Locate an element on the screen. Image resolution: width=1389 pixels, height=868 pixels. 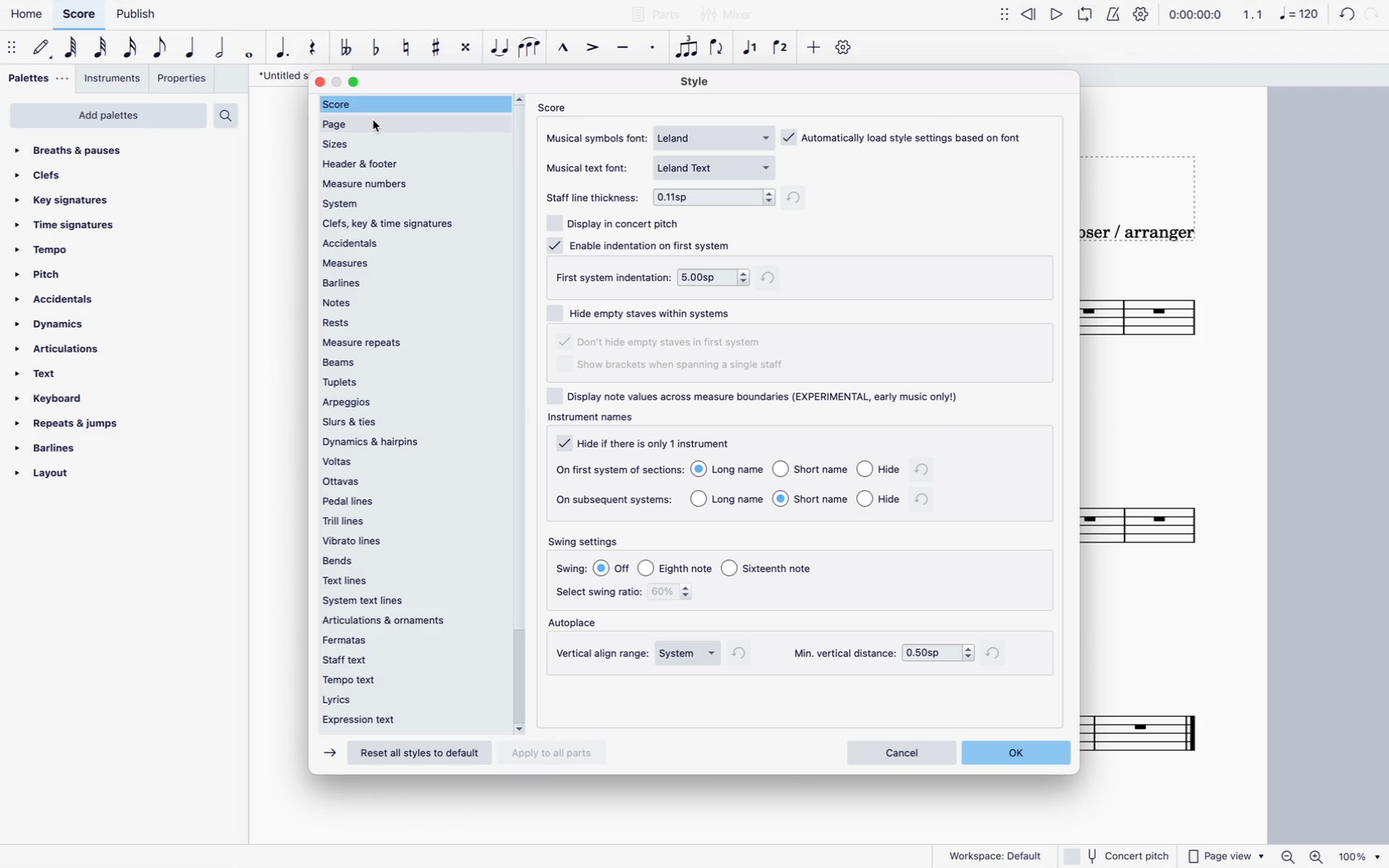
add palettes is located at coordinates (107, 116).